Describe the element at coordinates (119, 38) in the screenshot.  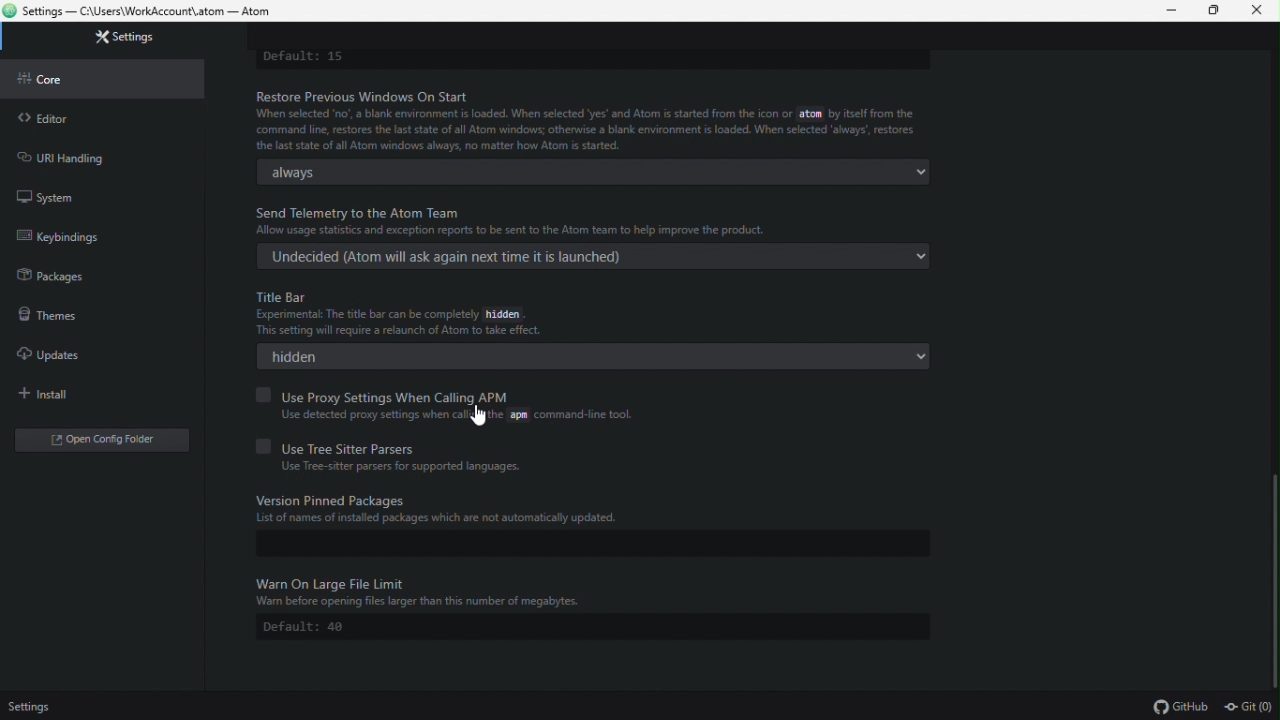
I see `settings` at that location.